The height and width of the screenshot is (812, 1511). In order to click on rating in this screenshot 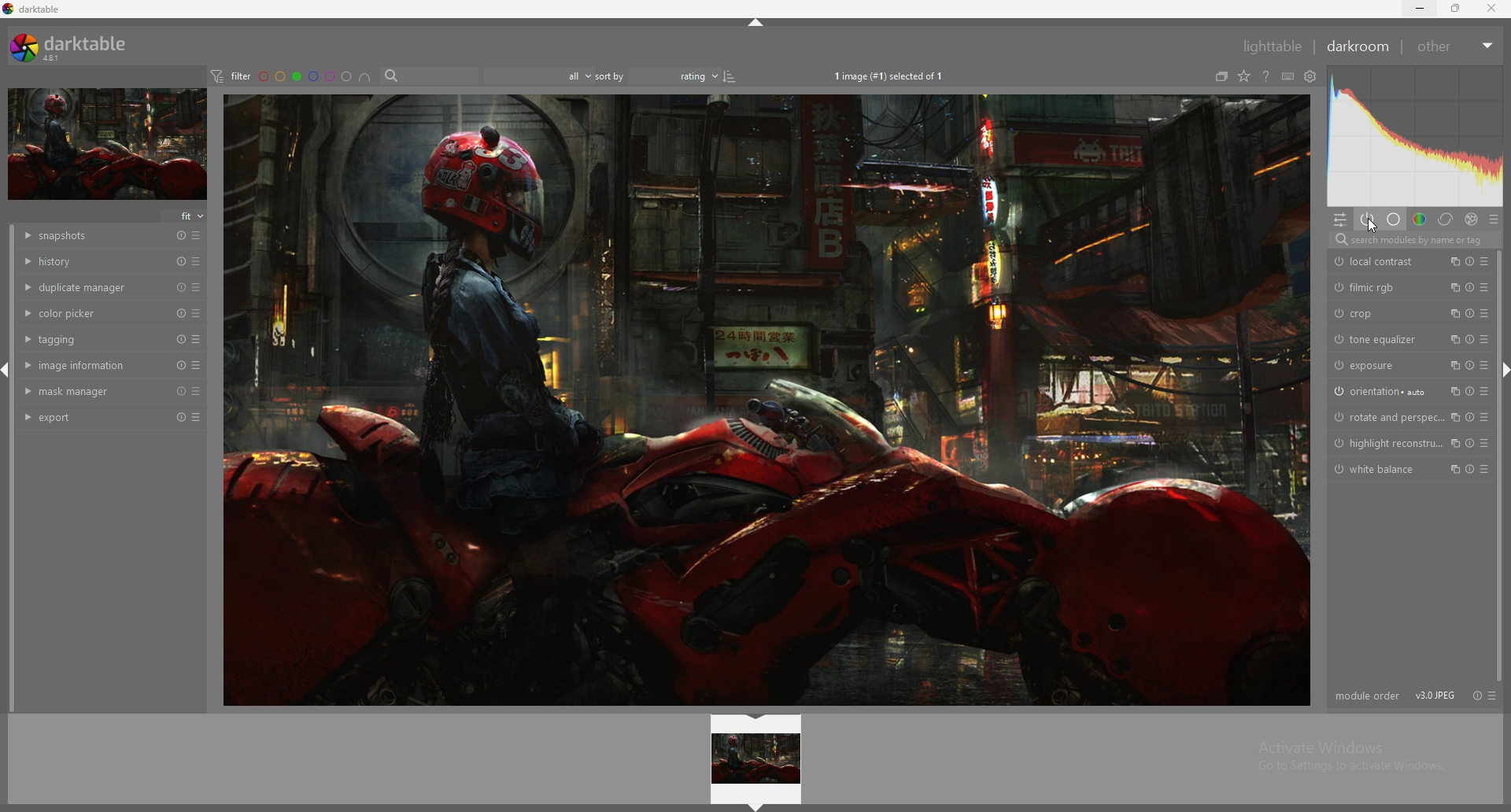, I will do `click(684, 76)`.